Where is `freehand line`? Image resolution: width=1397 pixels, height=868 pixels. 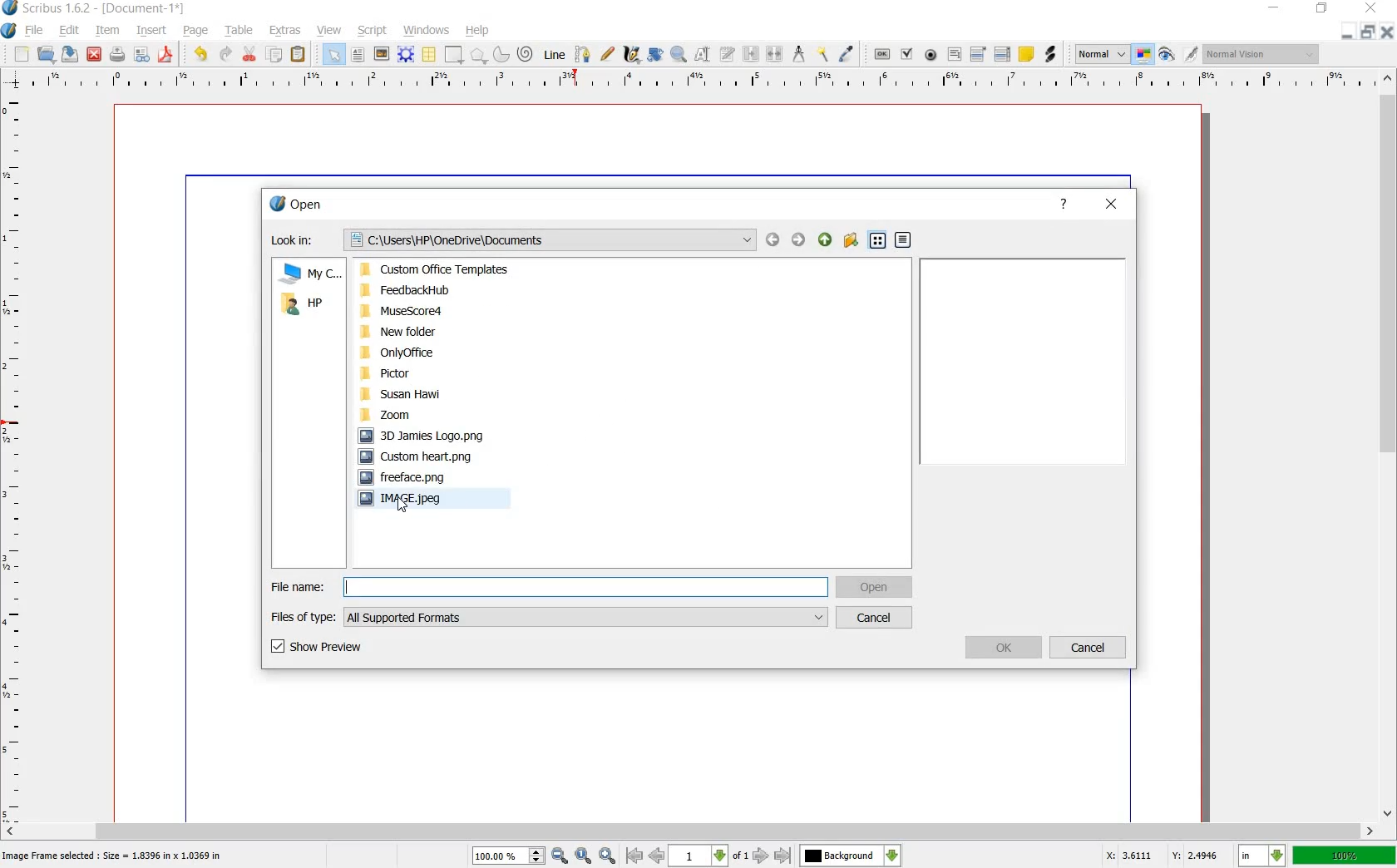 freehand line is located at coordinates (608, 55).